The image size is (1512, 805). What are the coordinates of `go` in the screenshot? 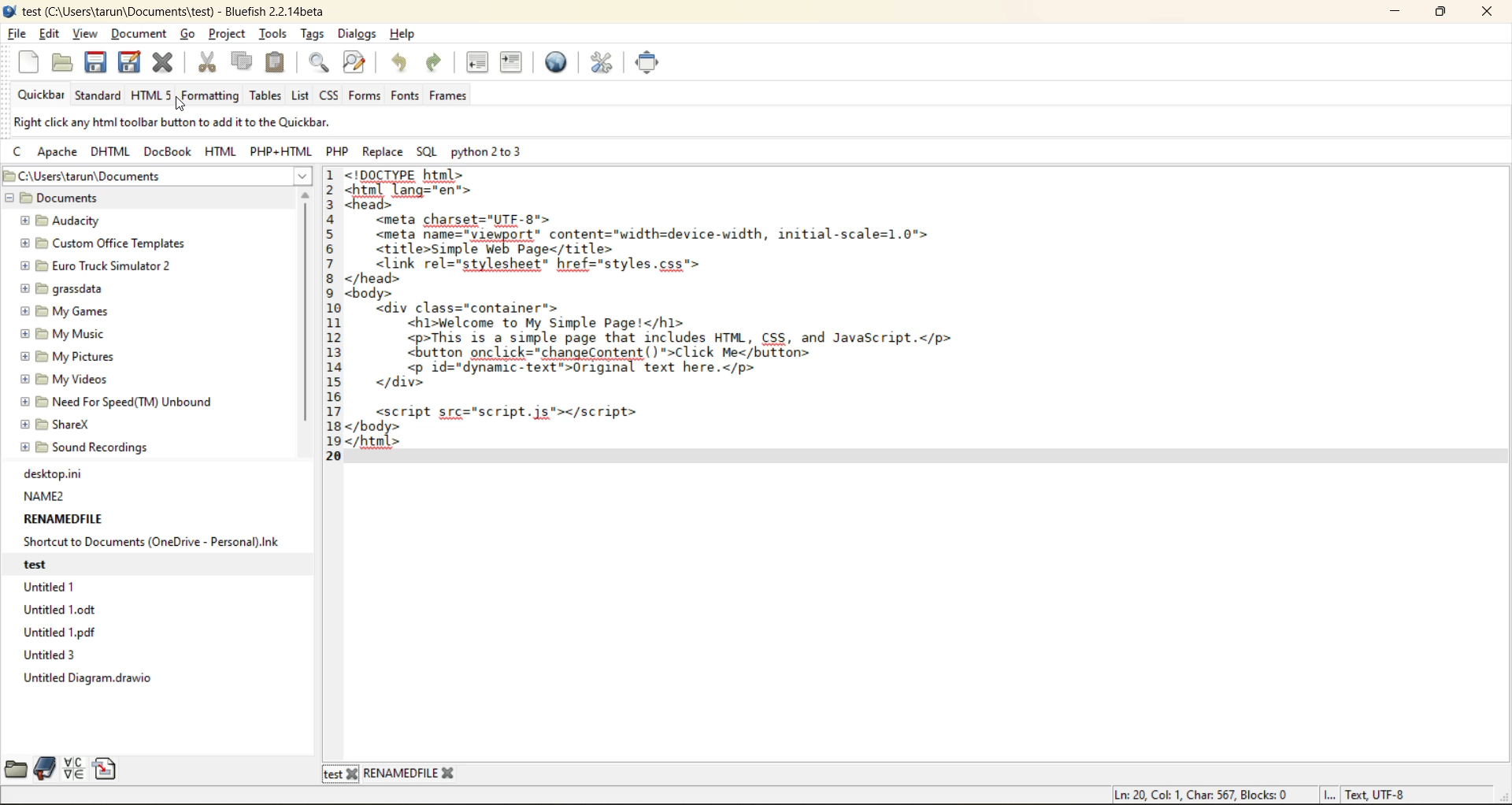 It's located at (190, 35).